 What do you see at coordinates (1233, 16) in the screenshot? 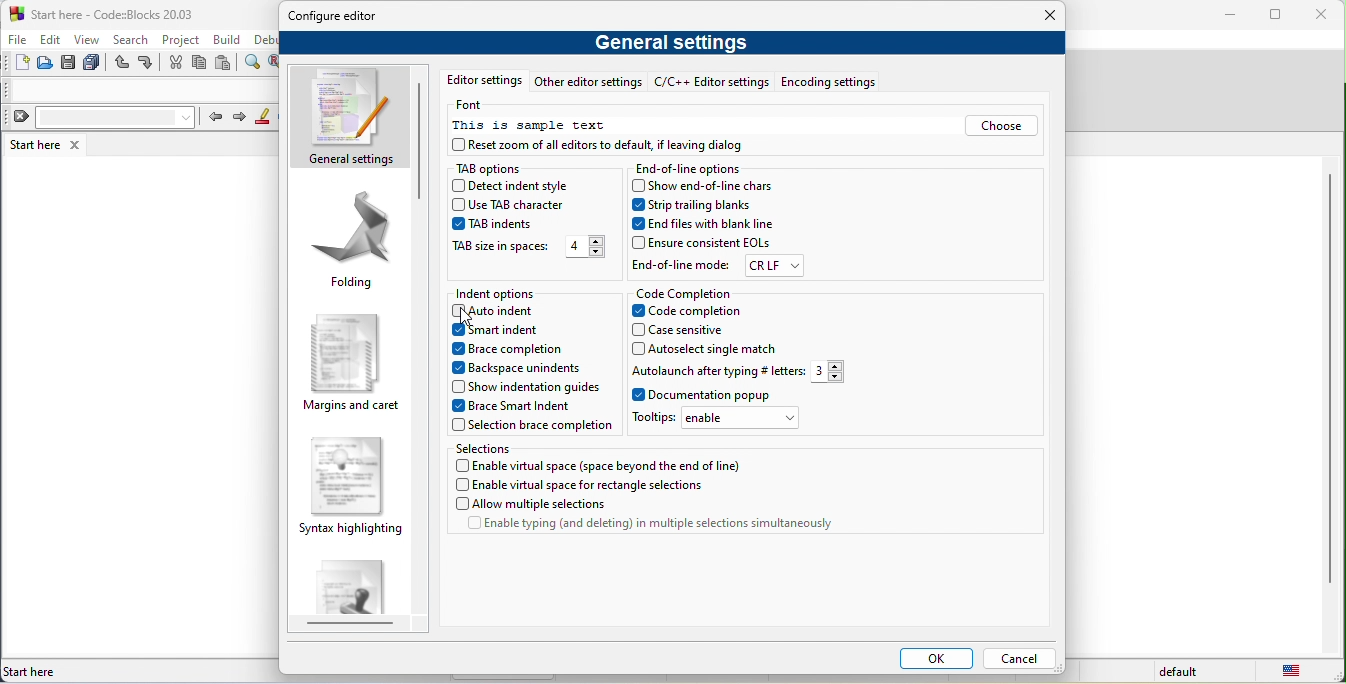
I see `minimize` at bounding box center [1233, 16].